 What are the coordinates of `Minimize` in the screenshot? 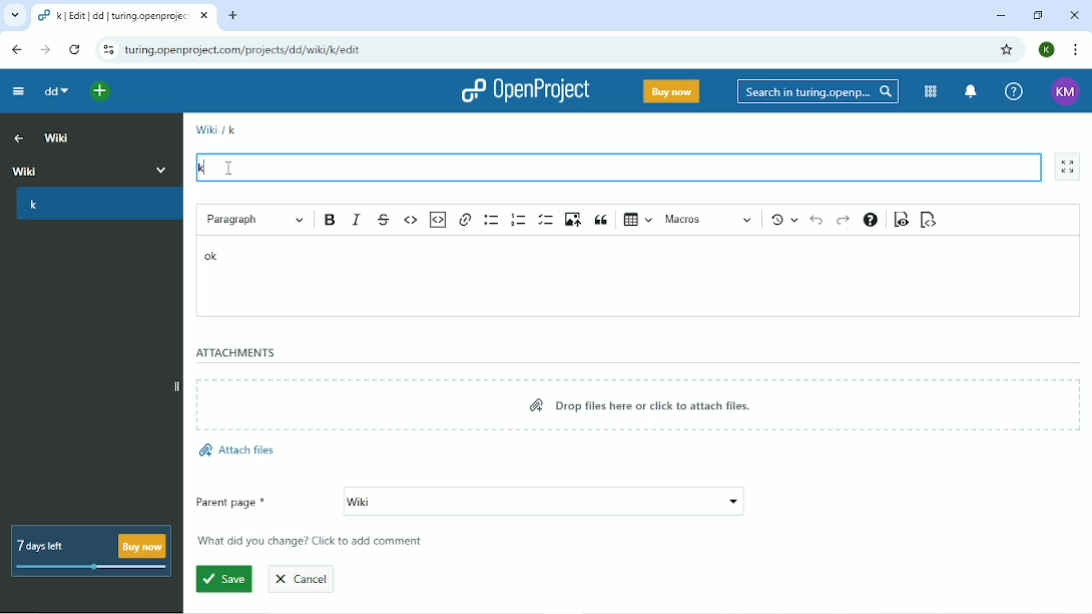 It's located at (1001, 16).